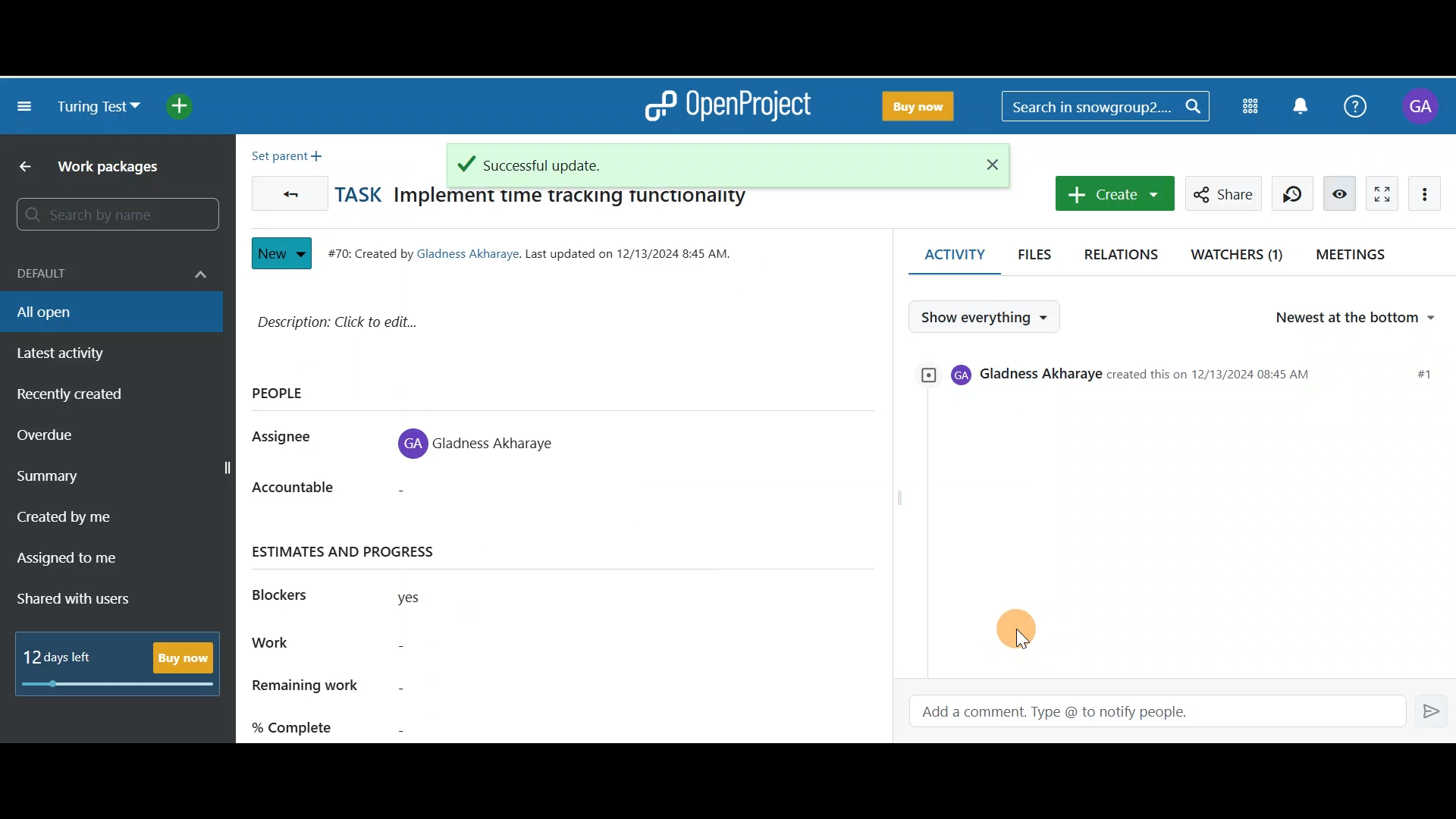 Image resolution: width=1456 pixels, height=819 pixels. Describe the element at coordinates (1224, 193) in the screenshot. I see `Share` at that location.